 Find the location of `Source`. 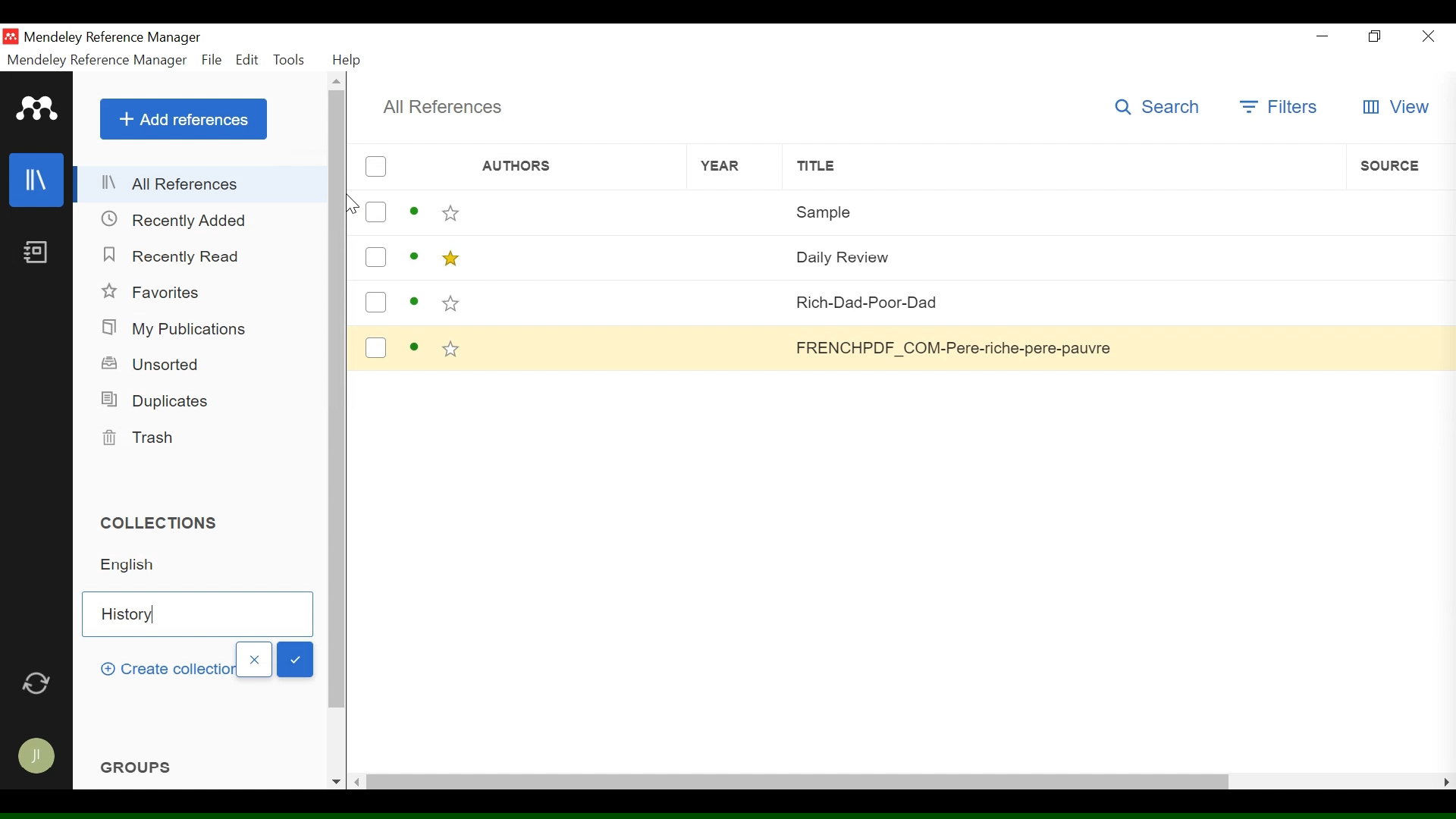

Source is located at coordinates (1395, 350).